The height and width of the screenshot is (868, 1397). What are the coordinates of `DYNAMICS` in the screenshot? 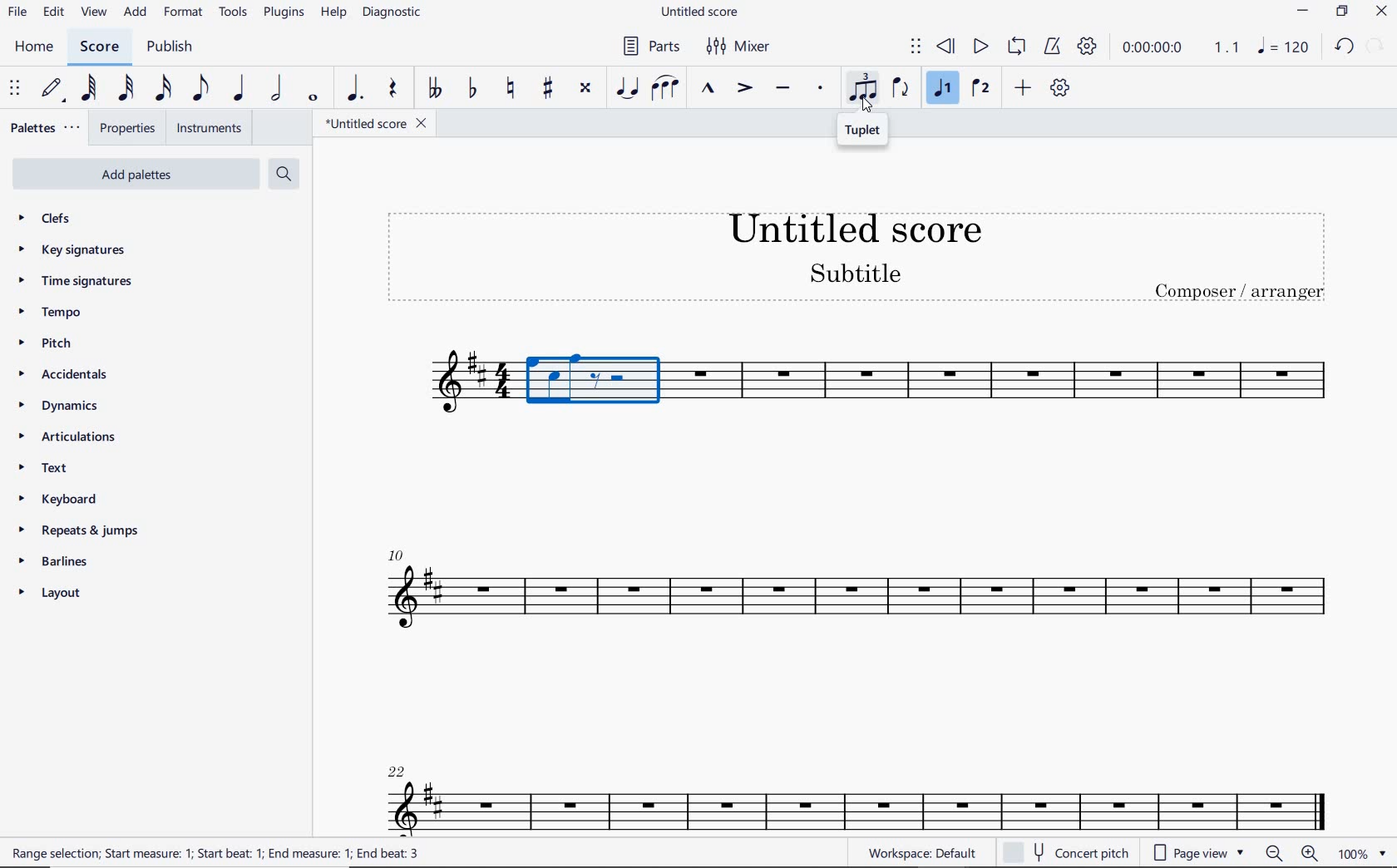 It's located at (62, 410).